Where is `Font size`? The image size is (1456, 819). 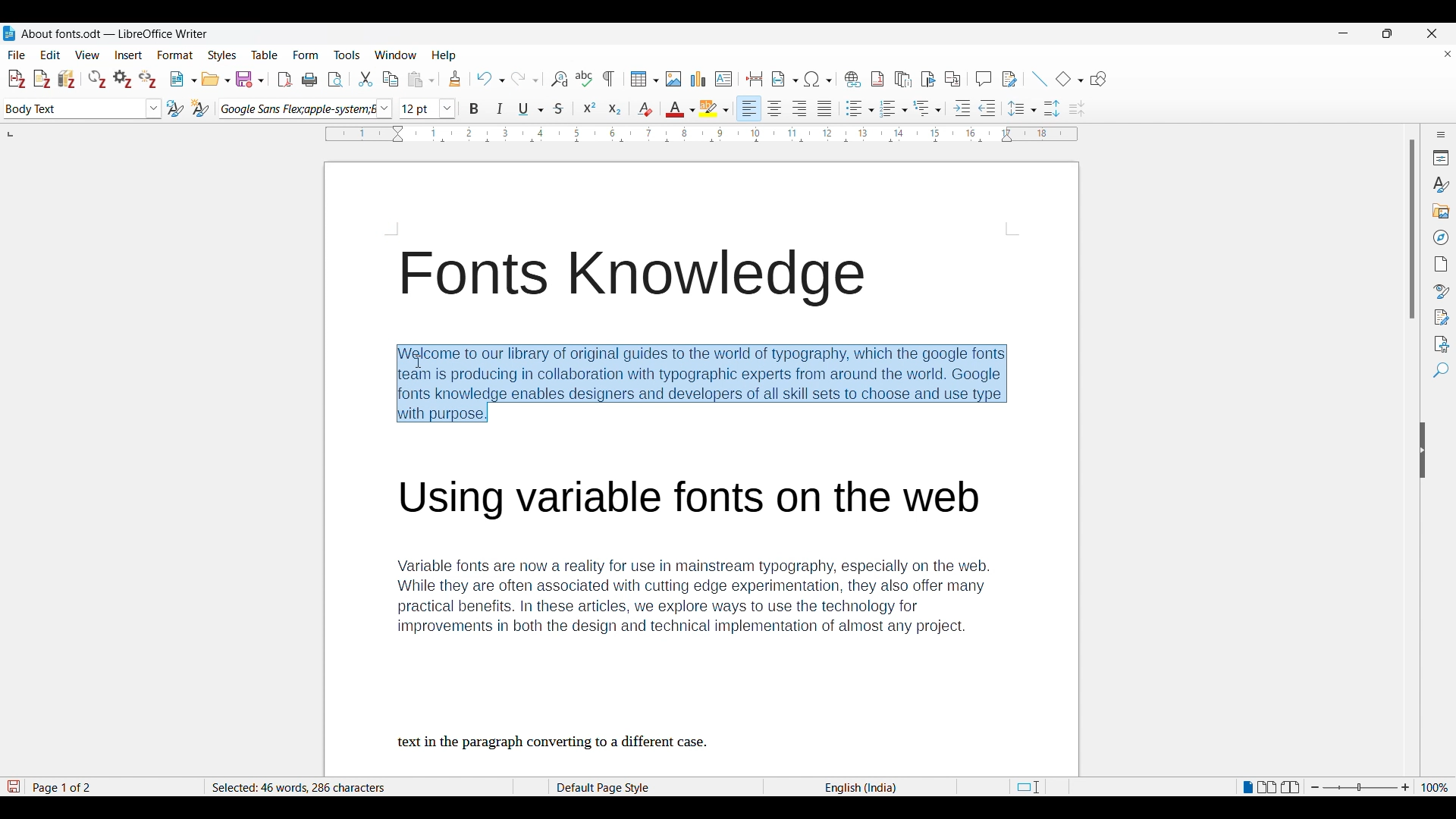
Font size is located at coordinates (428, 108).